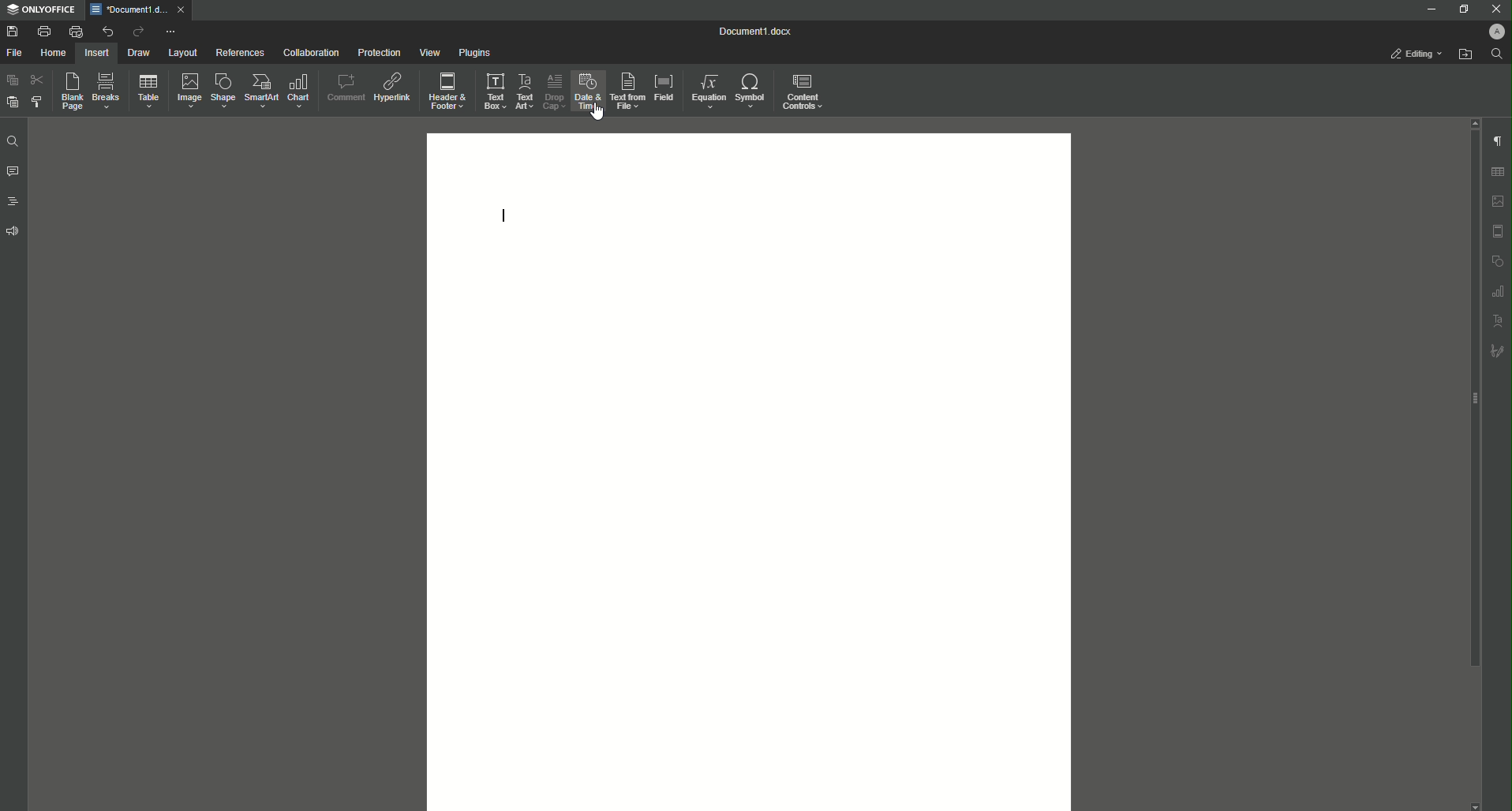 The height and width of the screenshot is (811, 1512). Describe the element at coordinates (40, 10) in the screenshot. I see `ONLYOFFICE` at that location.